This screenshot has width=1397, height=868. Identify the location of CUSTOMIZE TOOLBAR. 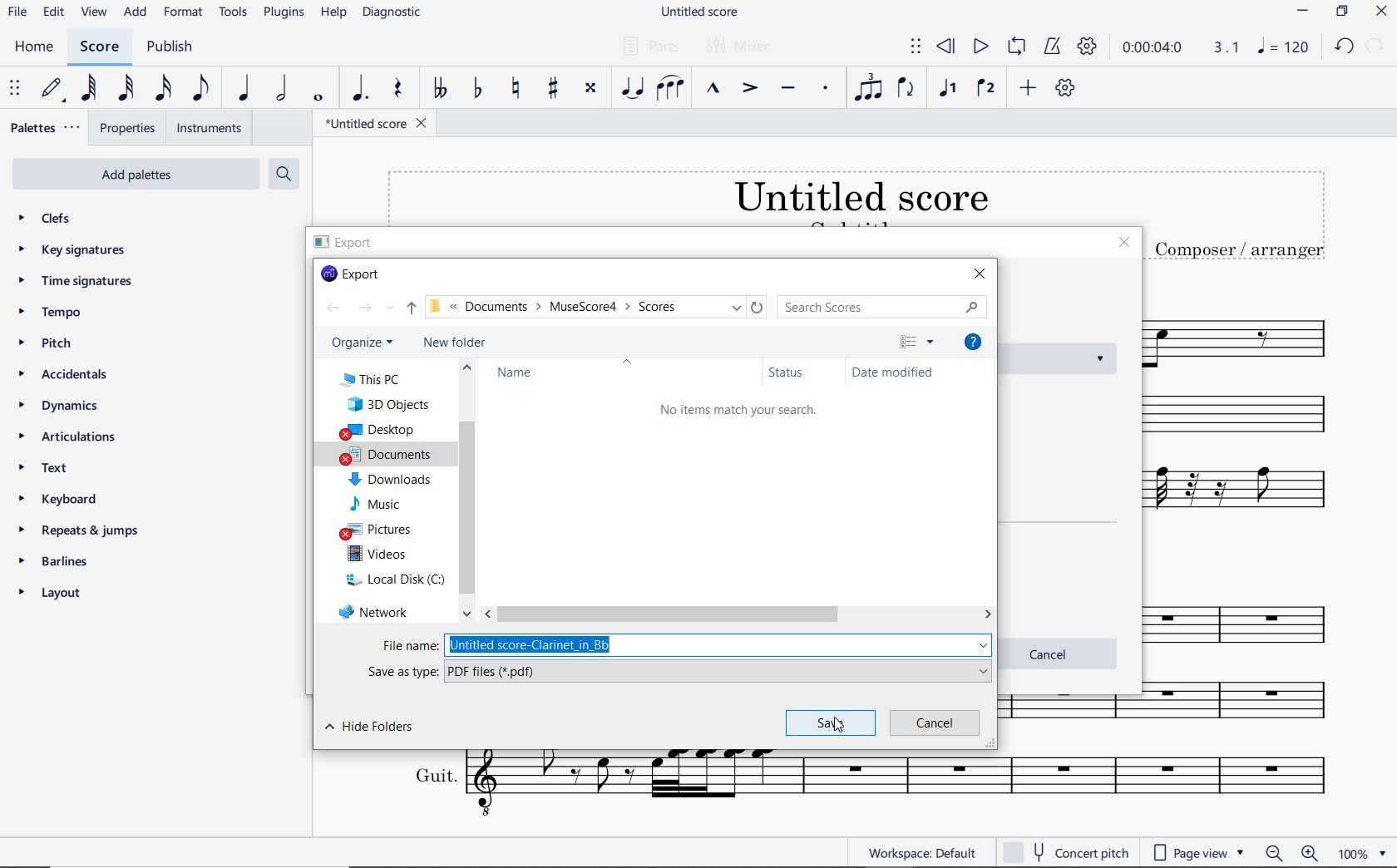
(1064, 87).